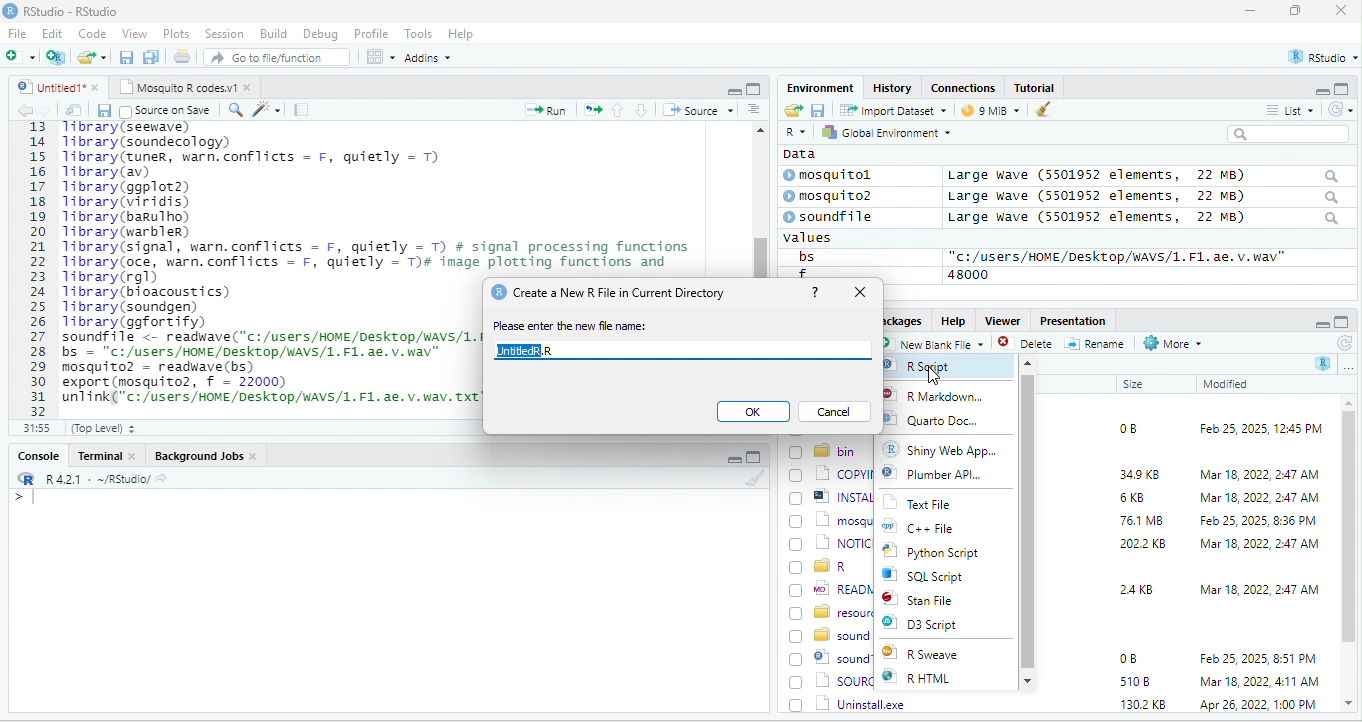  What do you see at coordinates (1044, 111) in the screenshot?
I see `brush` at bounding box center [1044, 111].